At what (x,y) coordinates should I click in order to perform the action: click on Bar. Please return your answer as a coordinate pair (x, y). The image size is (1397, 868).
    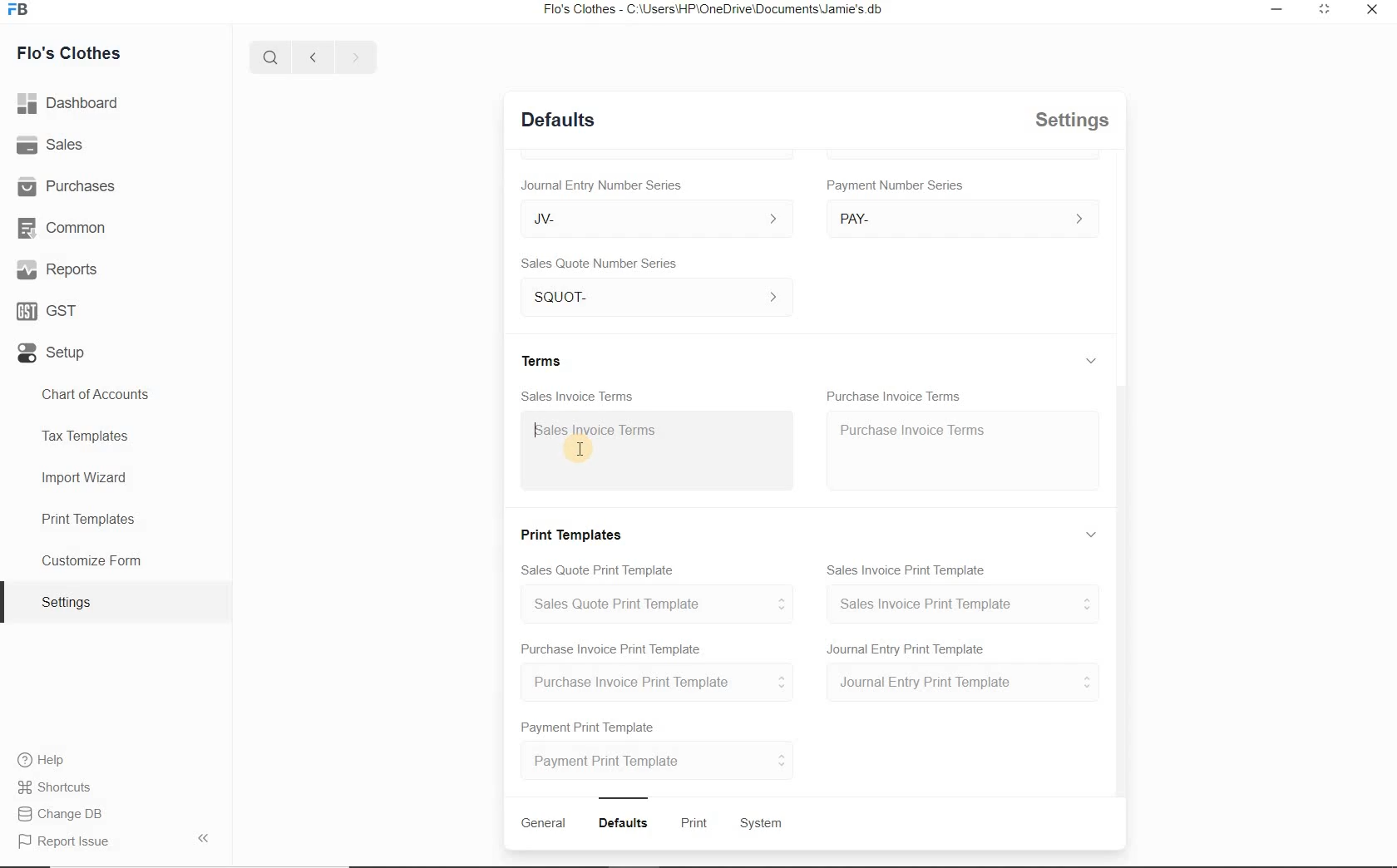
    Looking at the image, I should click on (624, 796).